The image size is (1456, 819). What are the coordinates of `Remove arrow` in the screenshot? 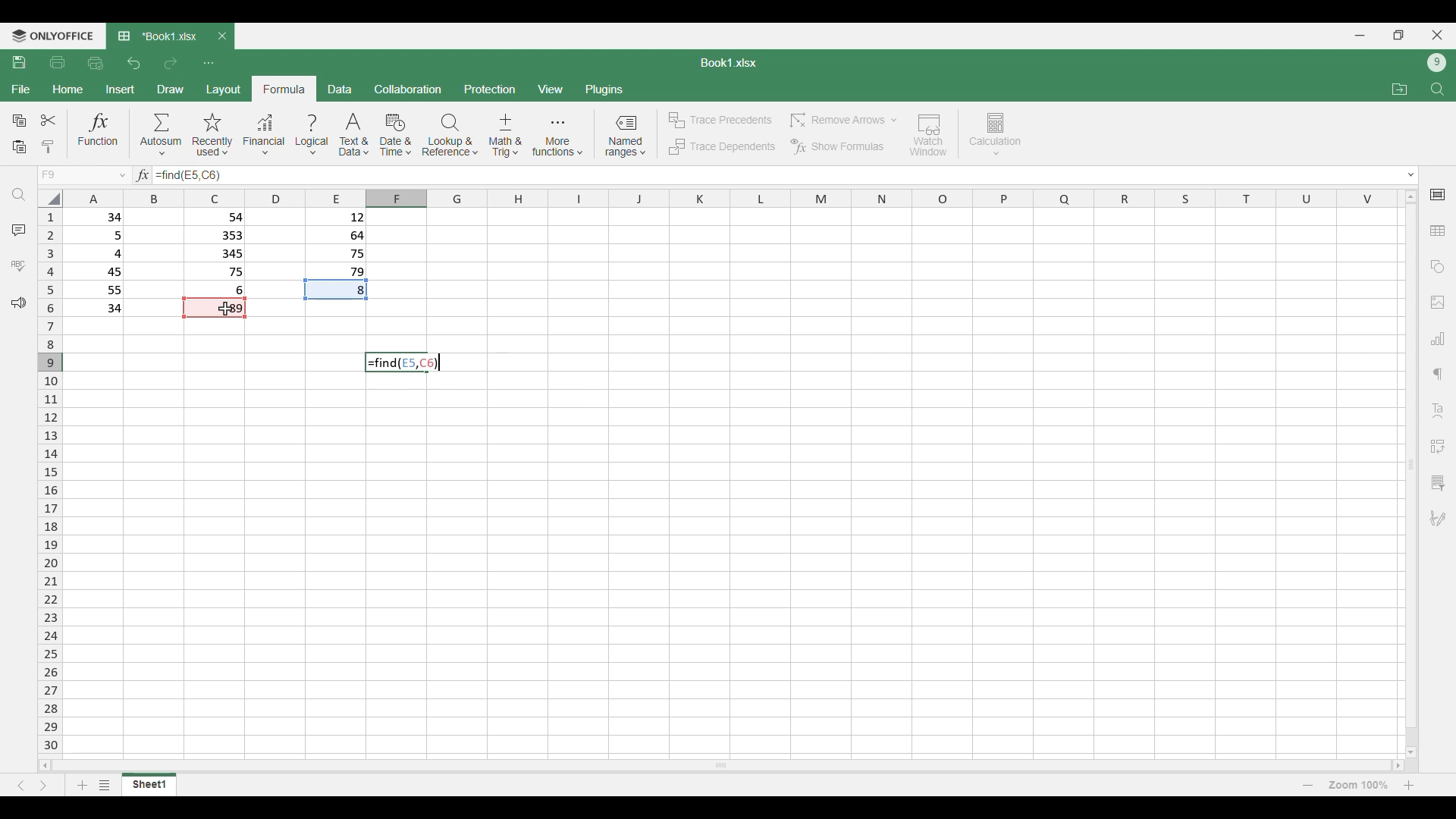 It's located at (842, 121).